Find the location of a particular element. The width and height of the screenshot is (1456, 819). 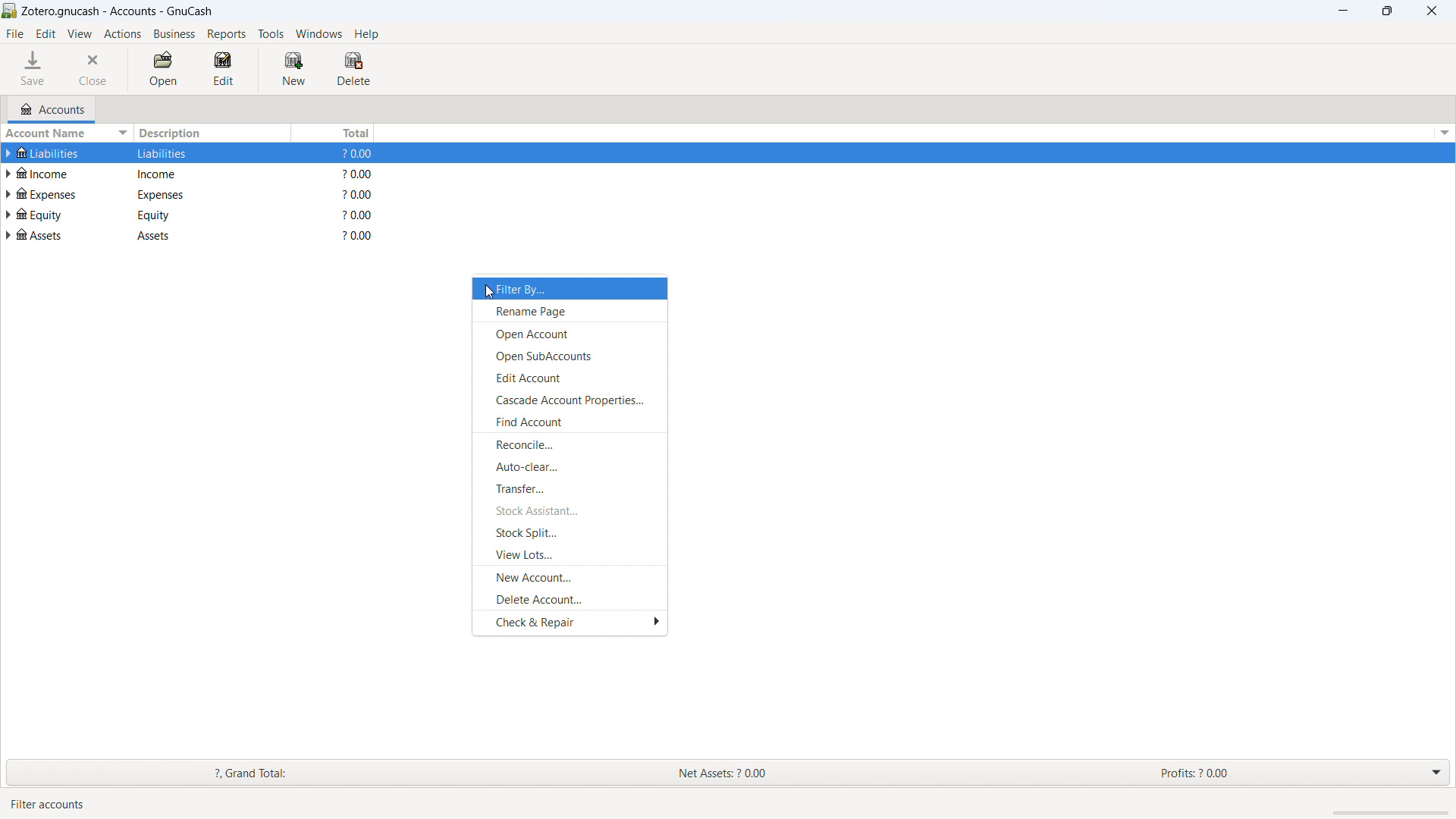

stock assistant is located at coordinates (569, 509).